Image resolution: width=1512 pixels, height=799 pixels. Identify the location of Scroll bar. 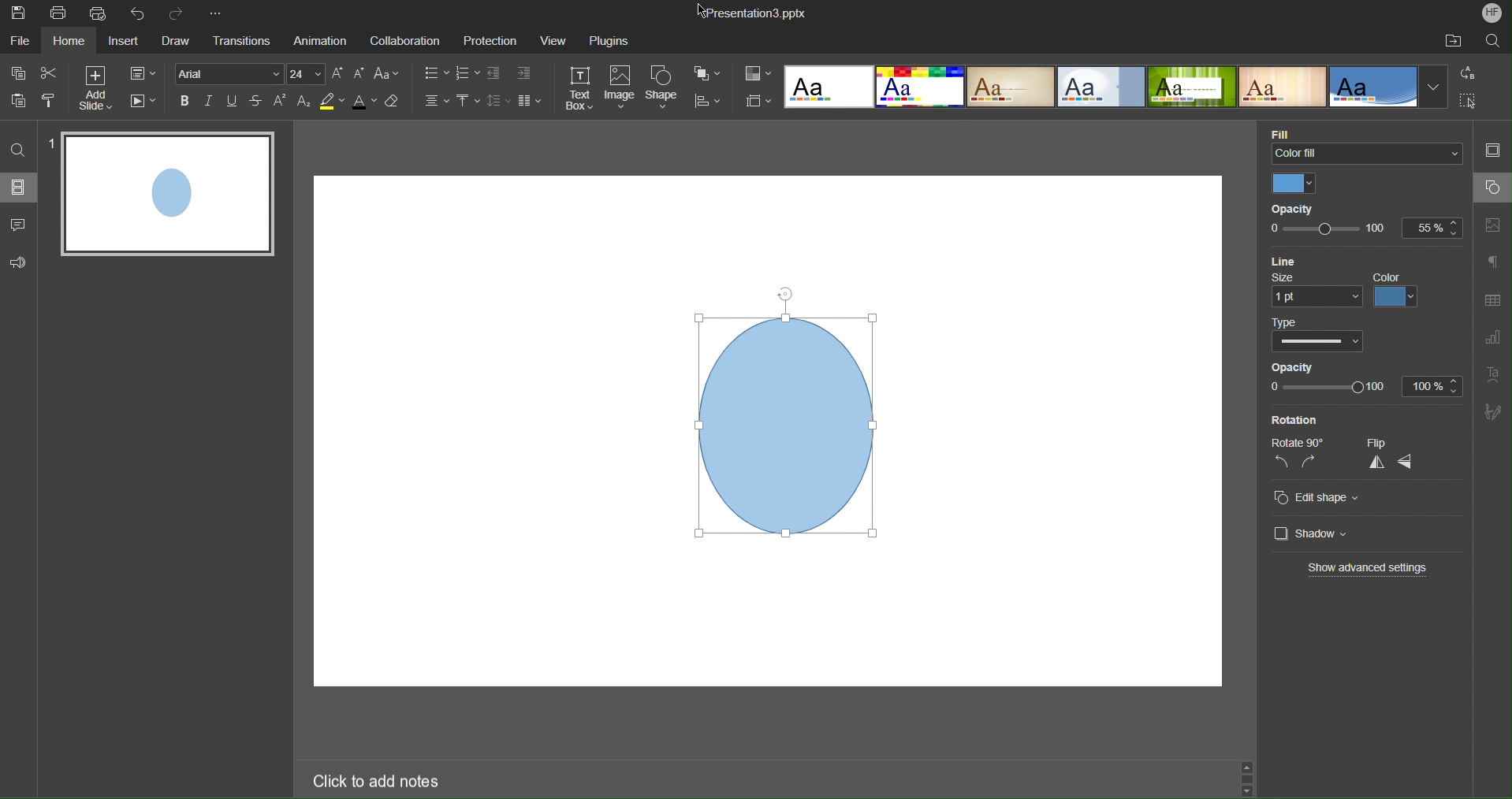
(1252, 775).